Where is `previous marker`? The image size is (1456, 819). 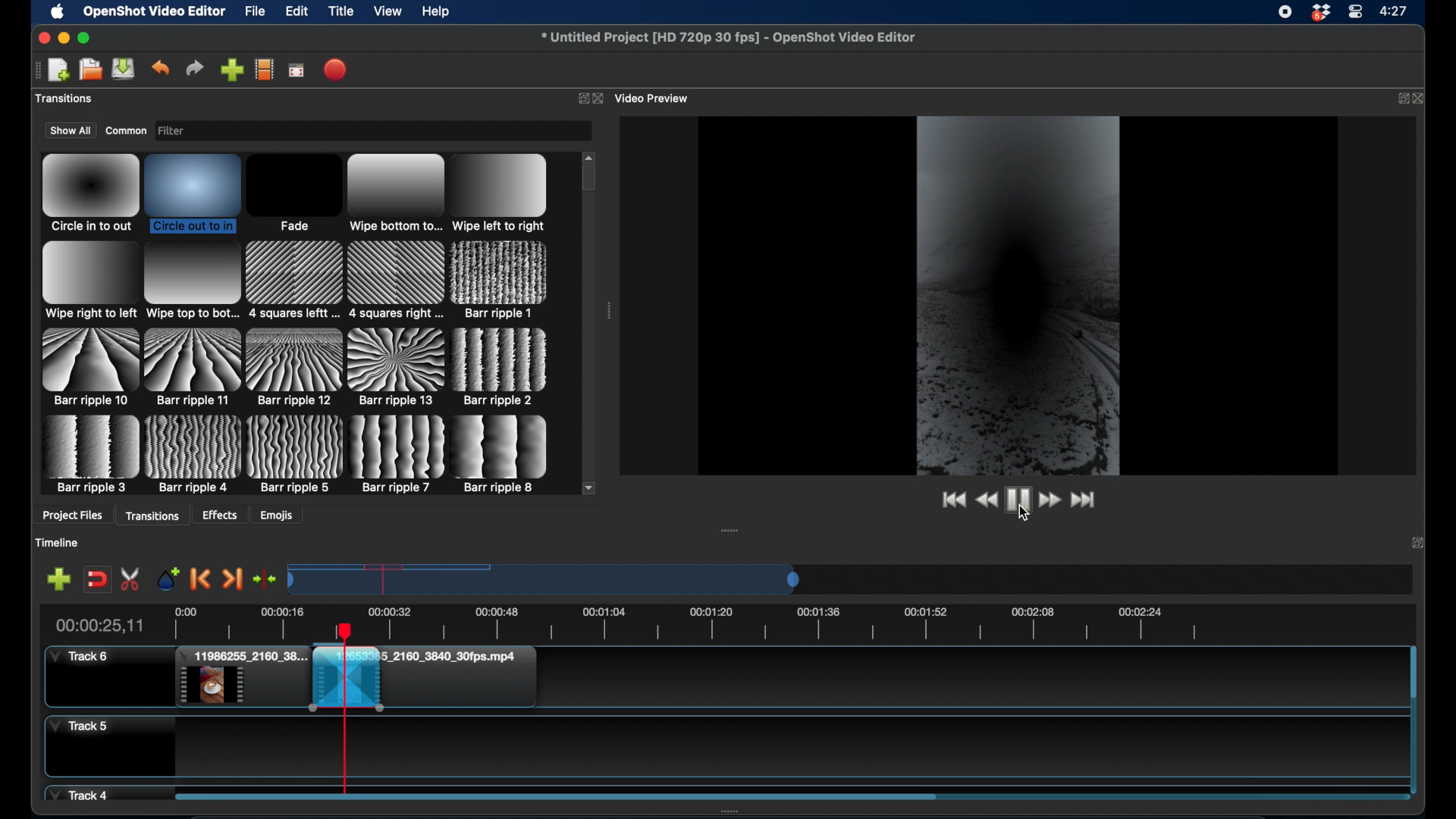 previous marker is located at coordinates (202, 580).